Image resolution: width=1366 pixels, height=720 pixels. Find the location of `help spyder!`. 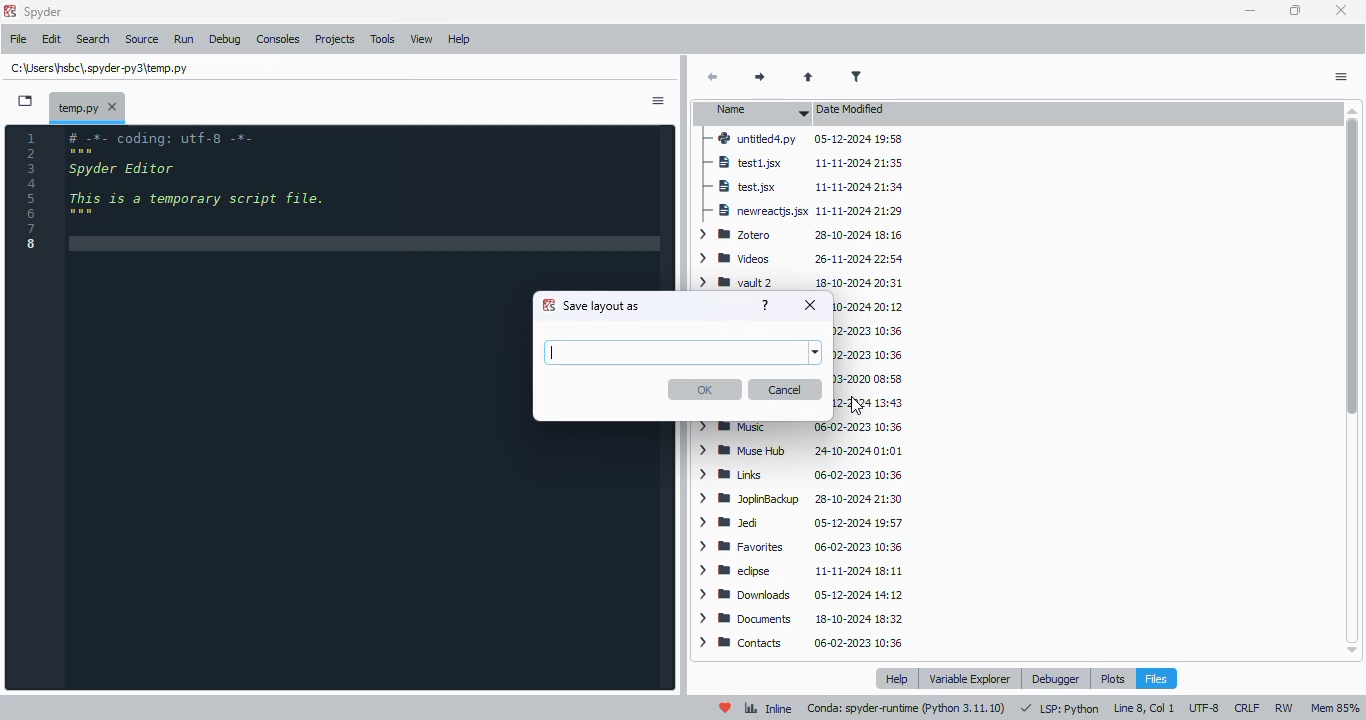

help spyder! is located at coordinates (726, 709).